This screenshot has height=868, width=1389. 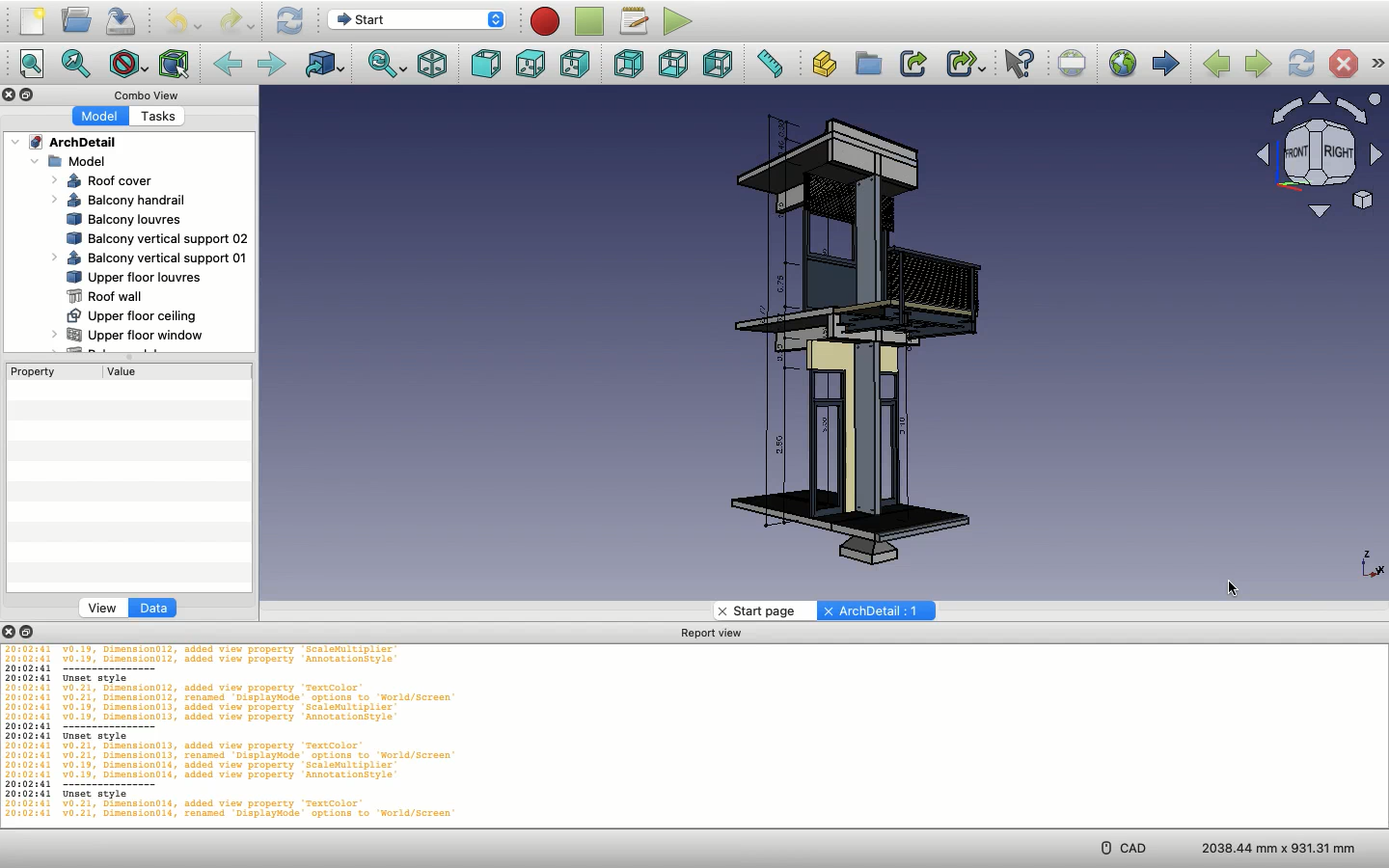 I want to click on Dimension, so click(x=1280, y=850).